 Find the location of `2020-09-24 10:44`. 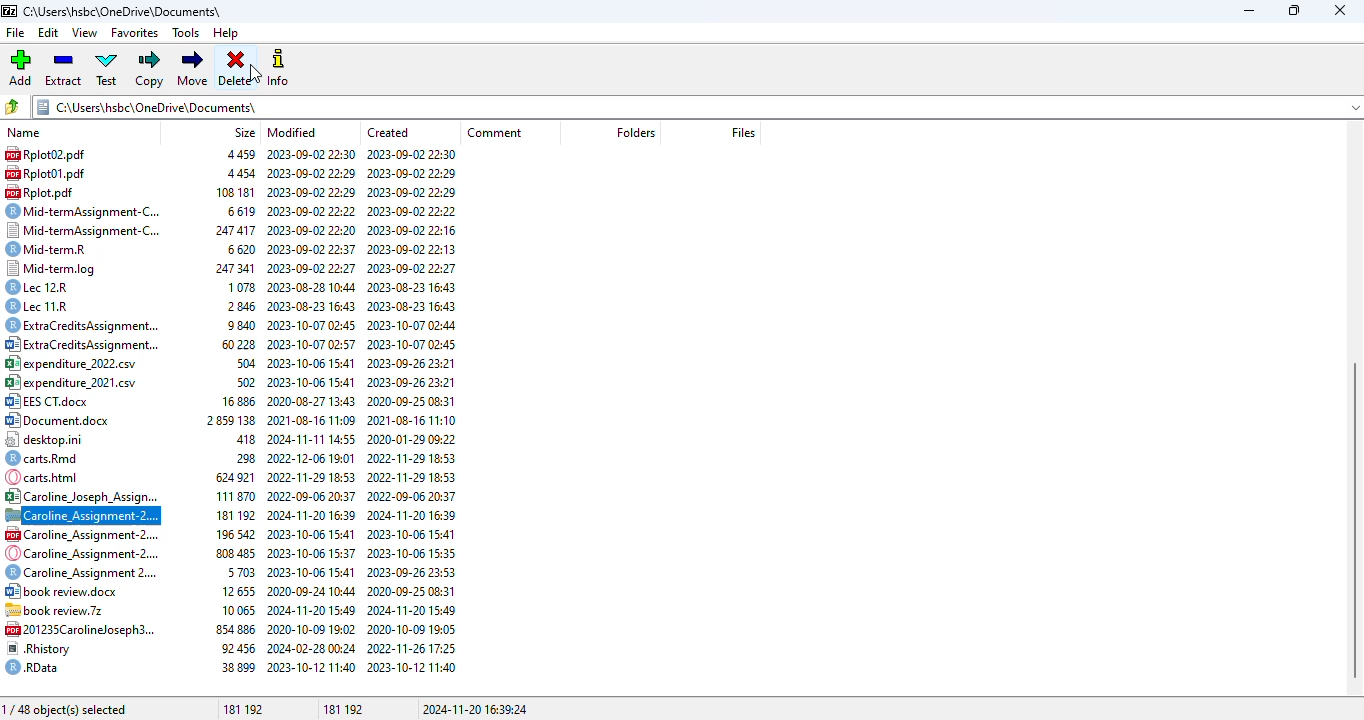

2020-09-24 10:44 is located at coordinates (309, 590).